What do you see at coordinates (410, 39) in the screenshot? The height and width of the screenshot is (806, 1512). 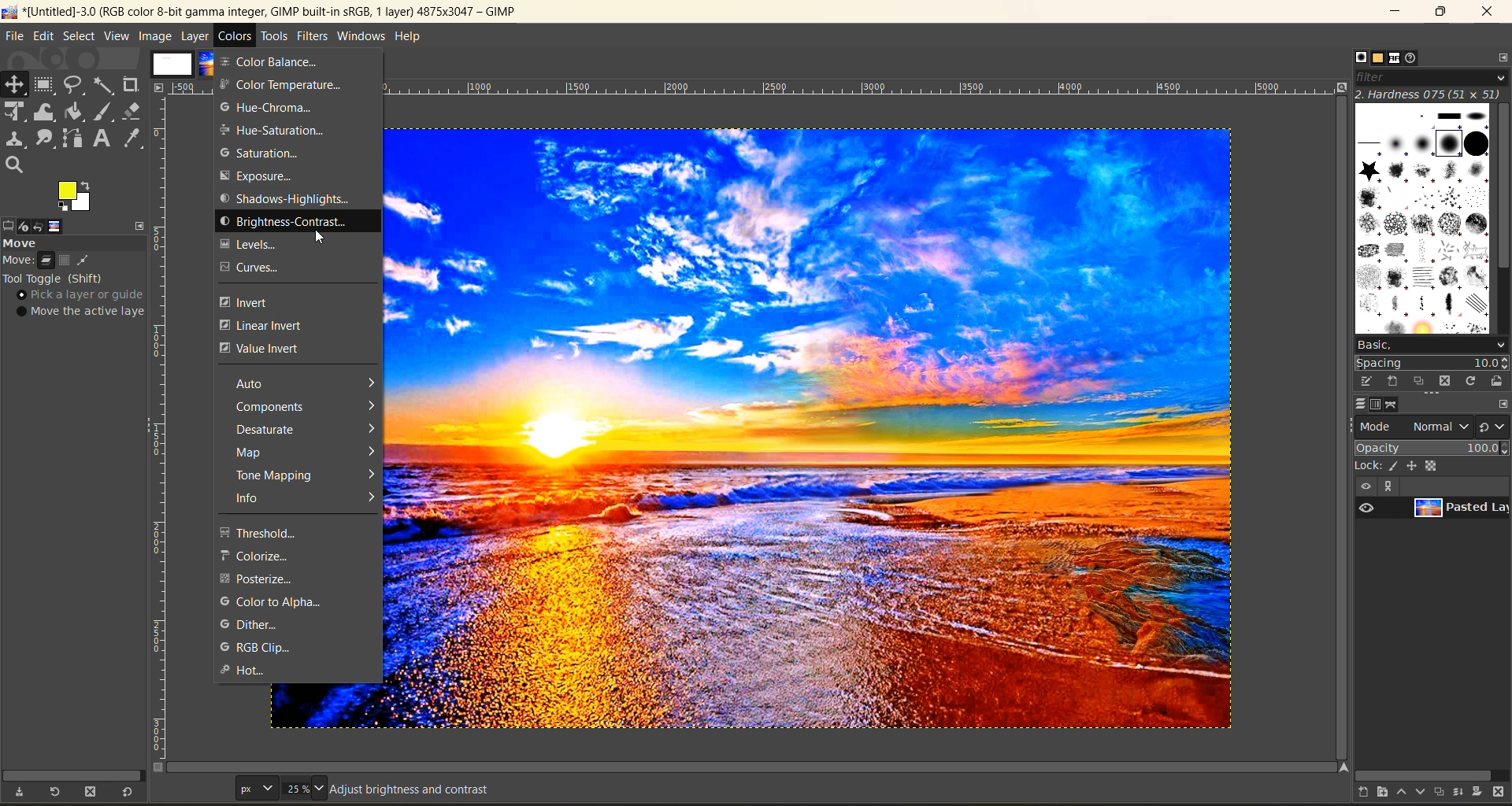 I see `help` at bounding box center [410, 39].